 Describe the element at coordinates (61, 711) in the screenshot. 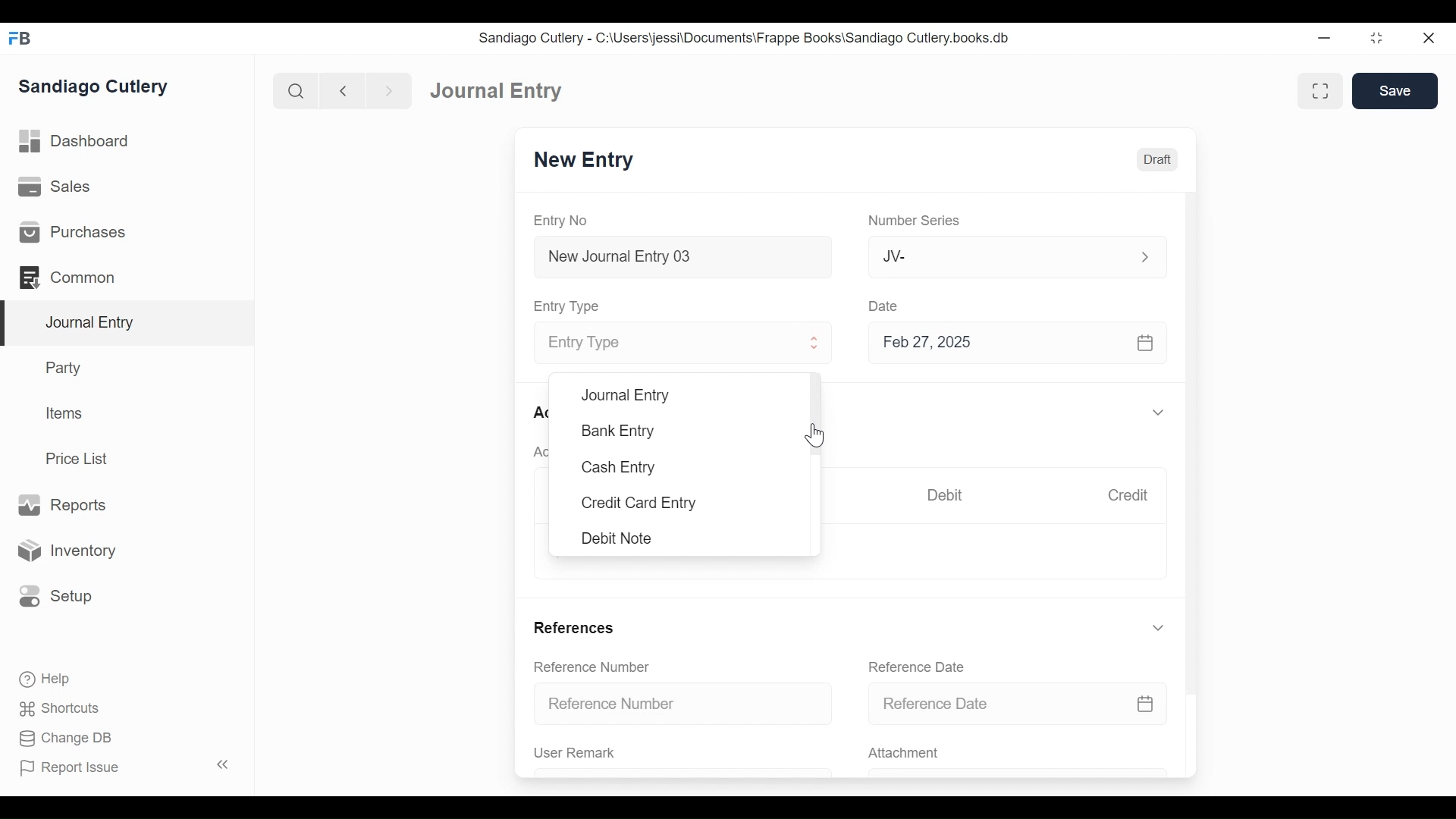

I see `Shortcuts` at that location.